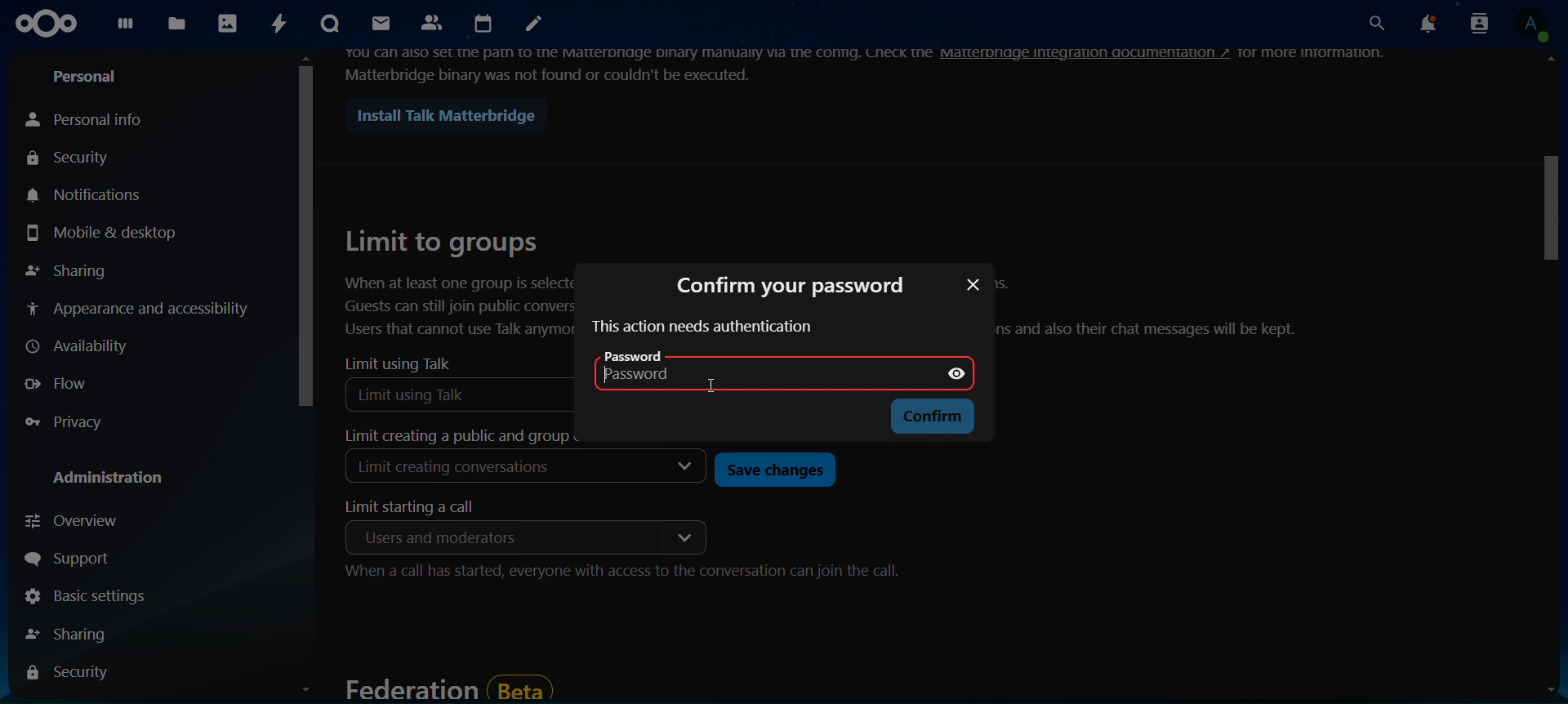 Image resolution: width=1568 pixels, height=704 pixels. Describe the element at coordinates (1086, 53) in the screenshot. I see `hyperlink` at that location.